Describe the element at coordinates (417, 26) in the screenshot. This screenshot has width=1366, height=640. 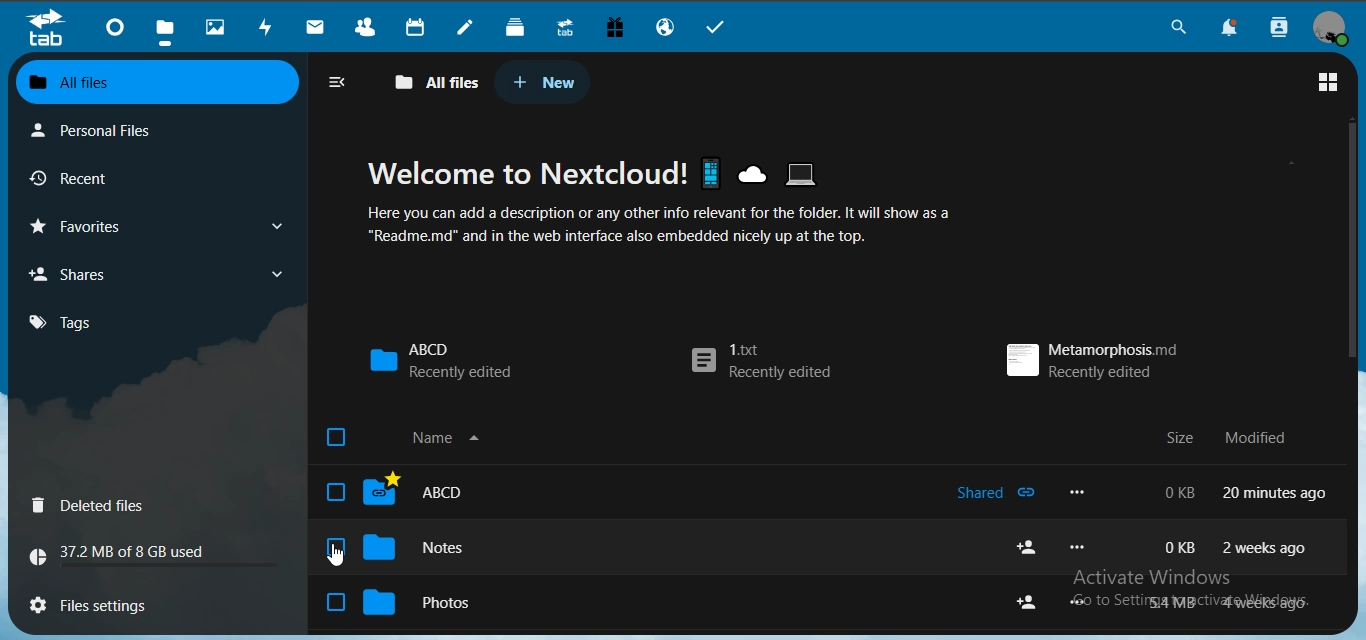
I see `calendar` at that location.